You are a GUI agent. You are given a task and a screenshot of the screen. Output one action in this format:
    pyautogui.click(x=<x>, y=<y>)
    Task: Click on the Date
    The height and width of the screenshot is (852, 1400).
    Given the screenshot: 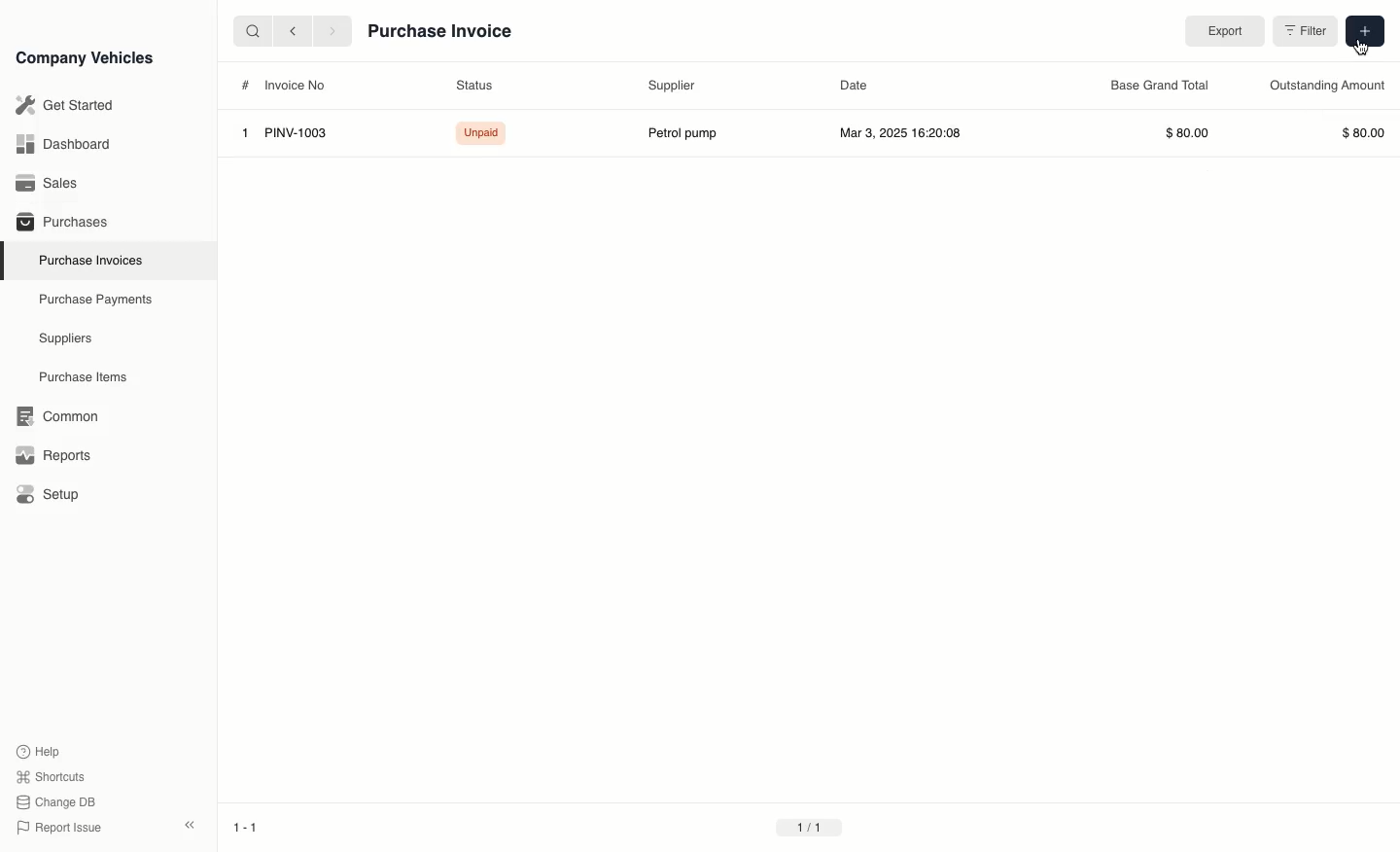 What is the action you would take?
    pyautogui.click(x=856, y=85)
    